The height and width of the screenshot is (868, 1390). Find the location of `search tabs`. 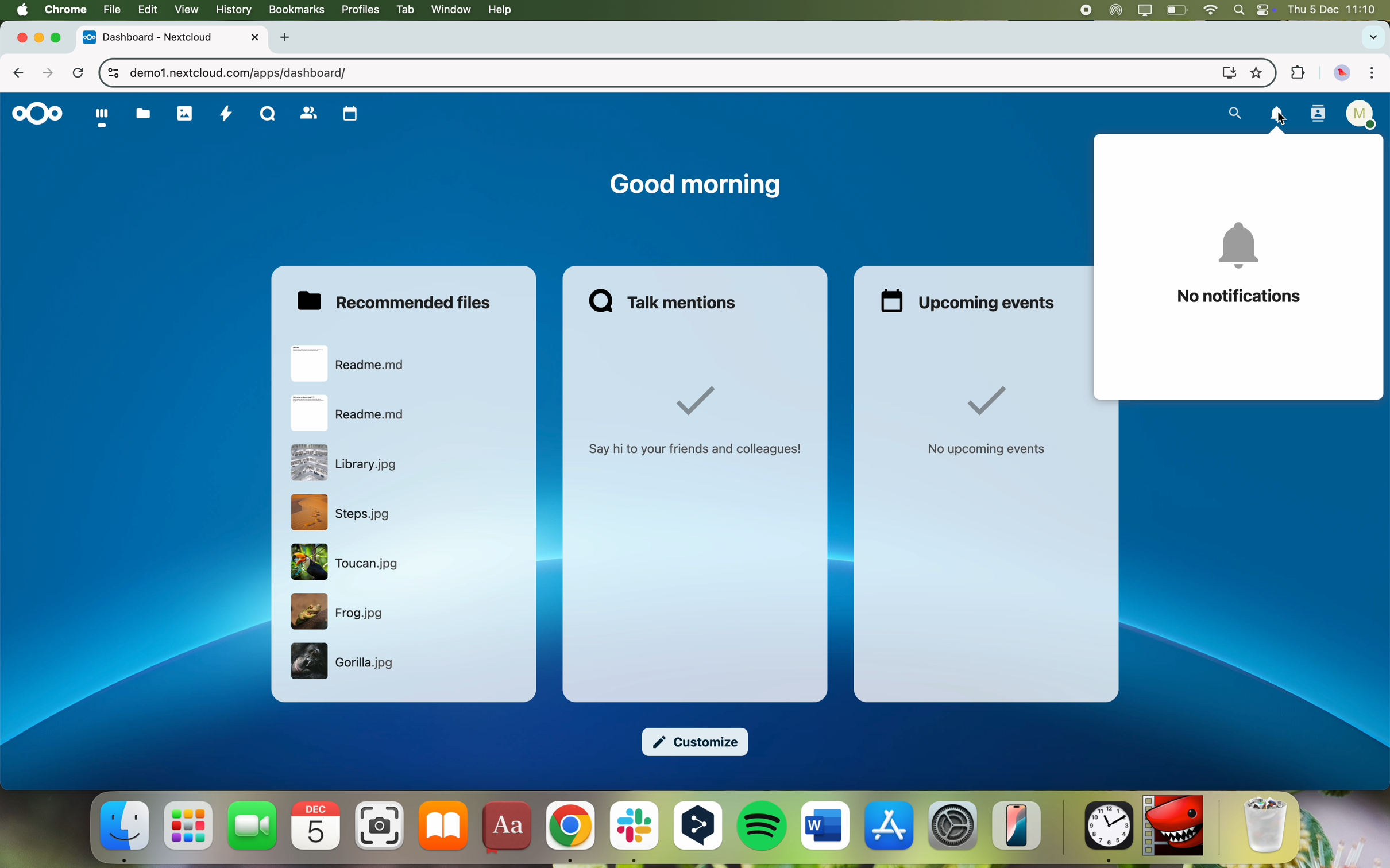

search tabs is located at coordinates (1372, 38).